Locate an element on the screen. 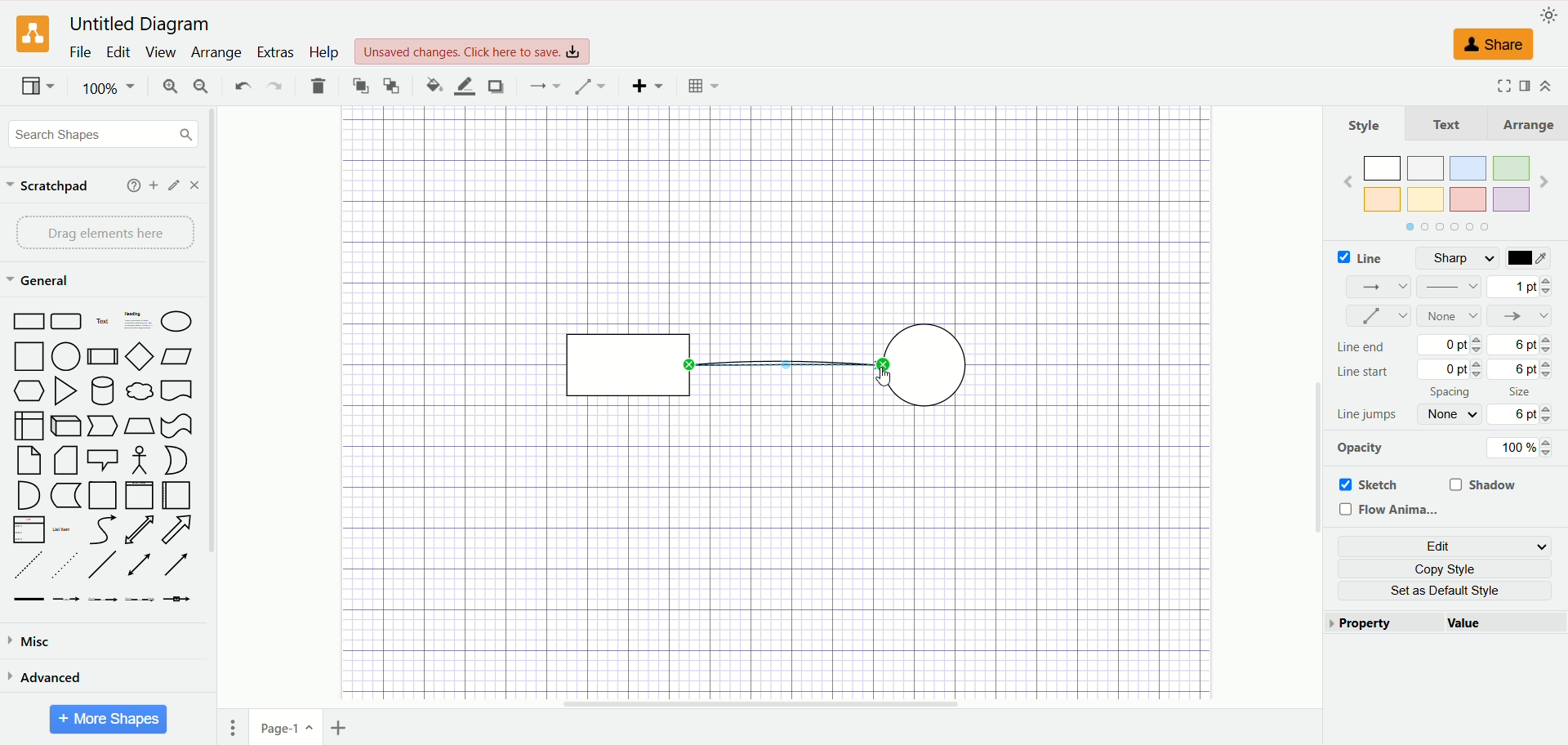 The width and height of the screenshot is (1568, 745). scratchpad is located at coordinates (46, 185).